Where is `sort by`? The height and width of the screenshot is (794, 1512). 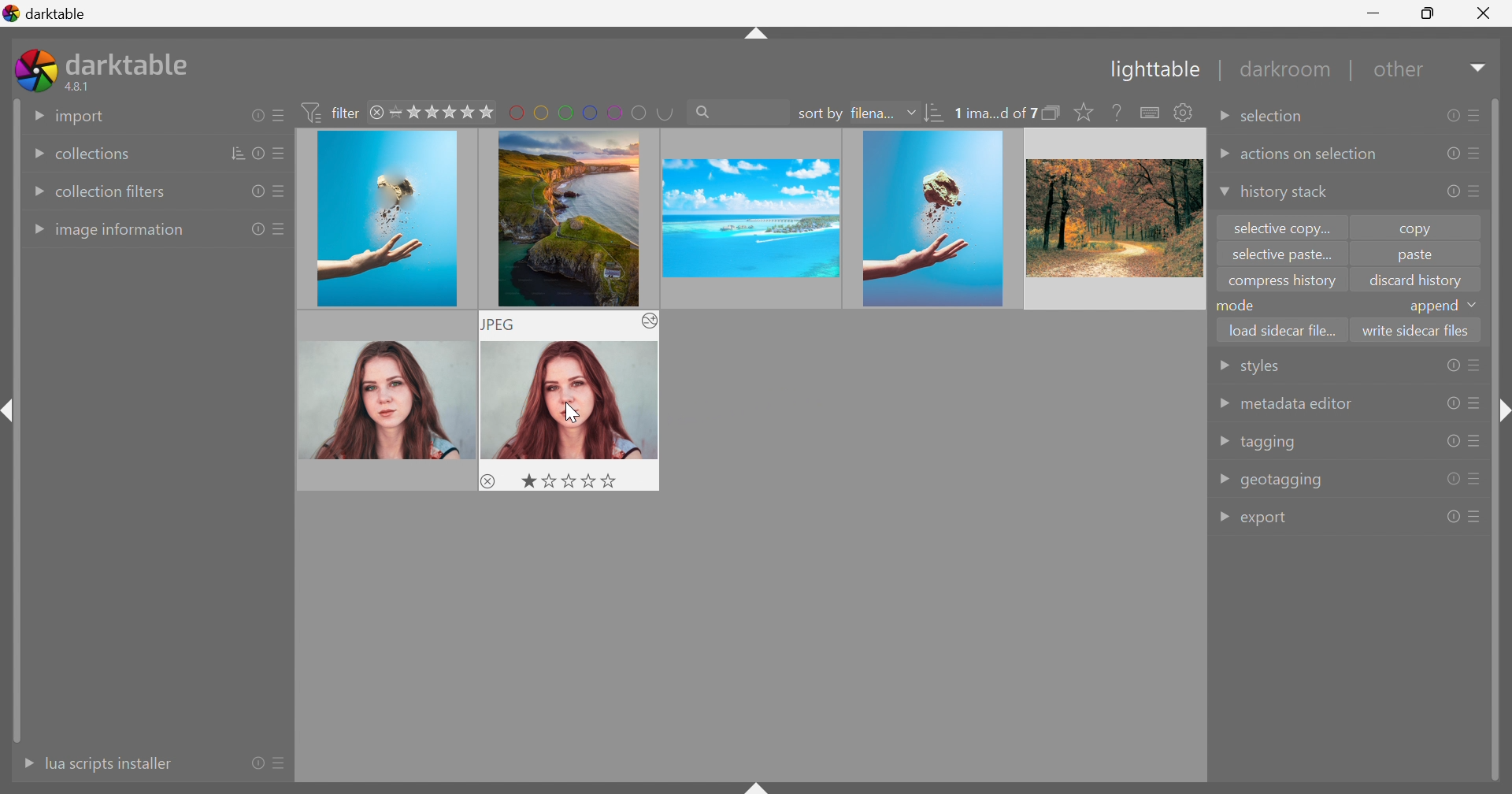
sort by is located at coordinates (819, 114).